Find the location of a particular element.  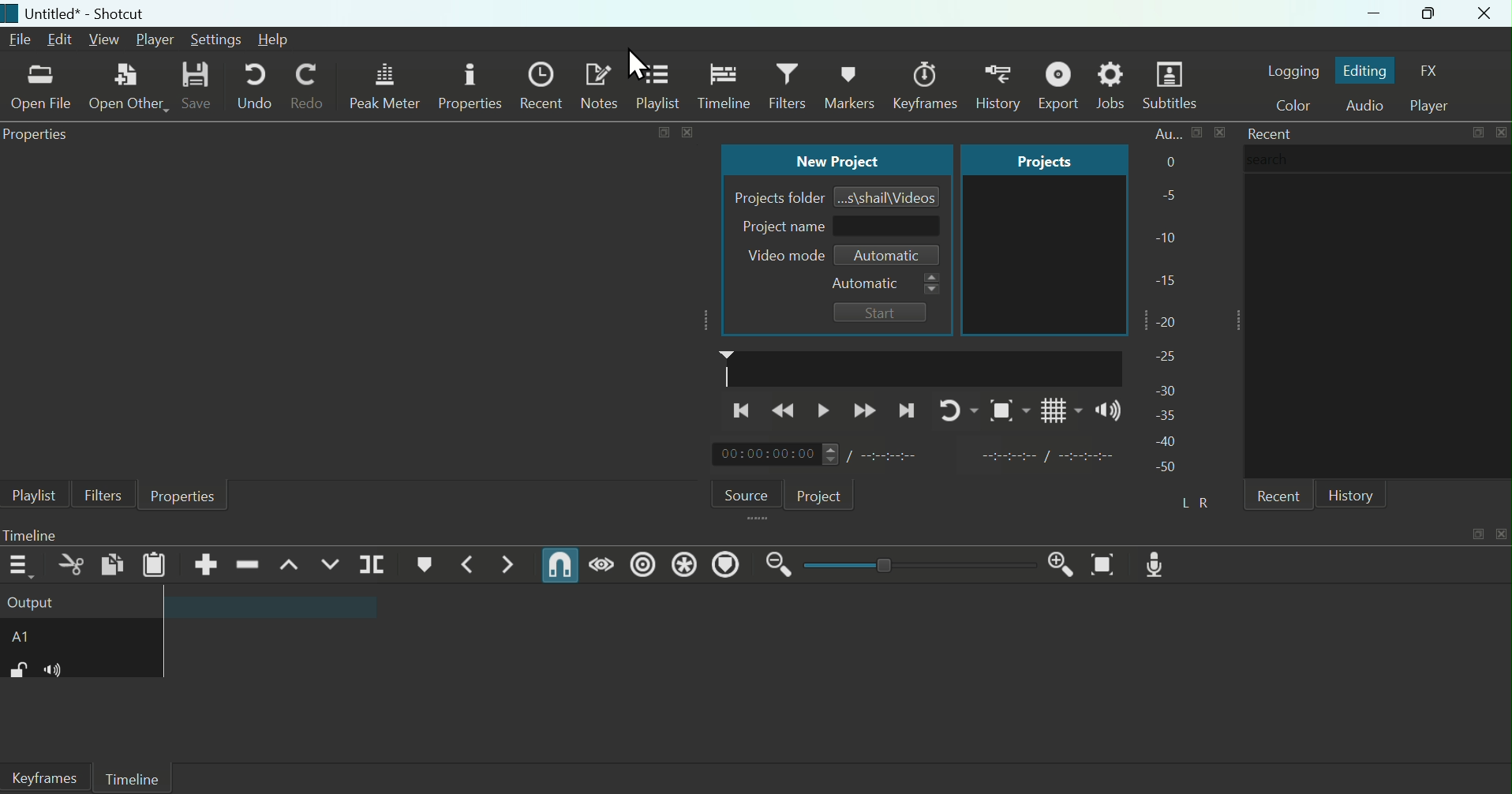

Next Marker is located at coordinates (508, 565).